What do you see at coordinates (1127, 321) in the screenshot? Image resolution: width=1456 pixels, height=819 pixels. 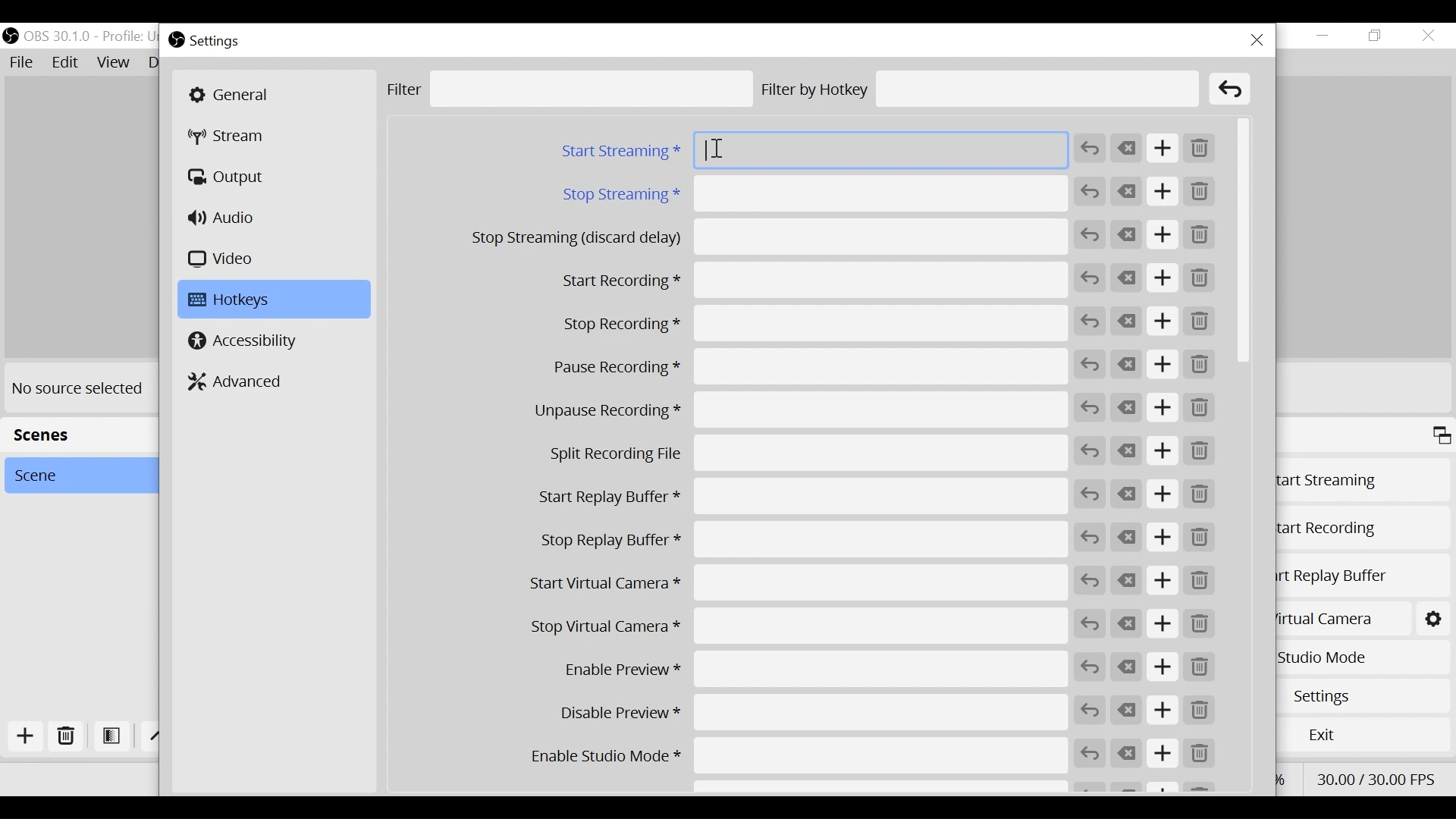 I see `Clear` at bounding box center [1127, 321].